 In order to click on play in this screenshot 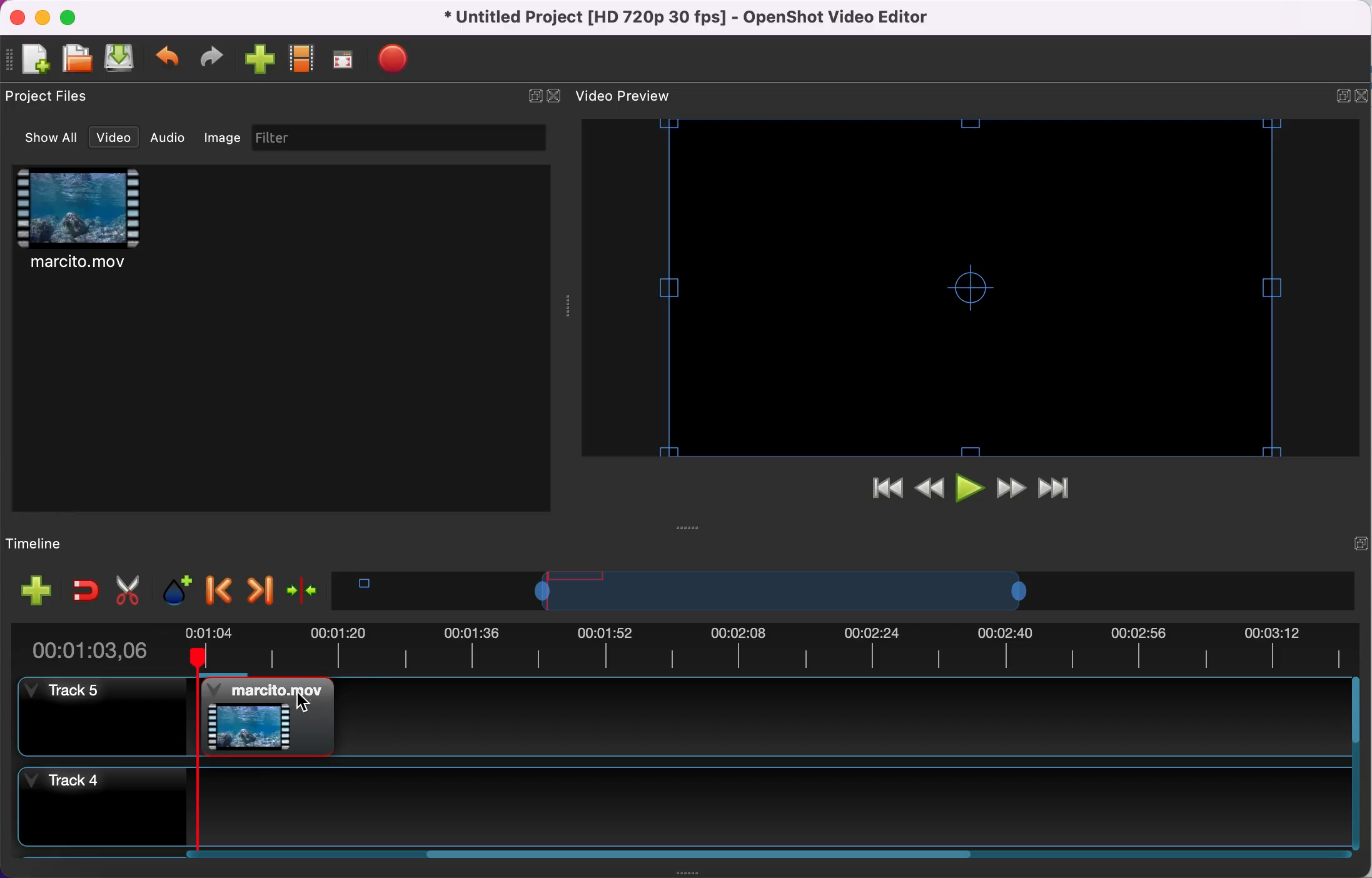, I will do `click(971, 492)`.